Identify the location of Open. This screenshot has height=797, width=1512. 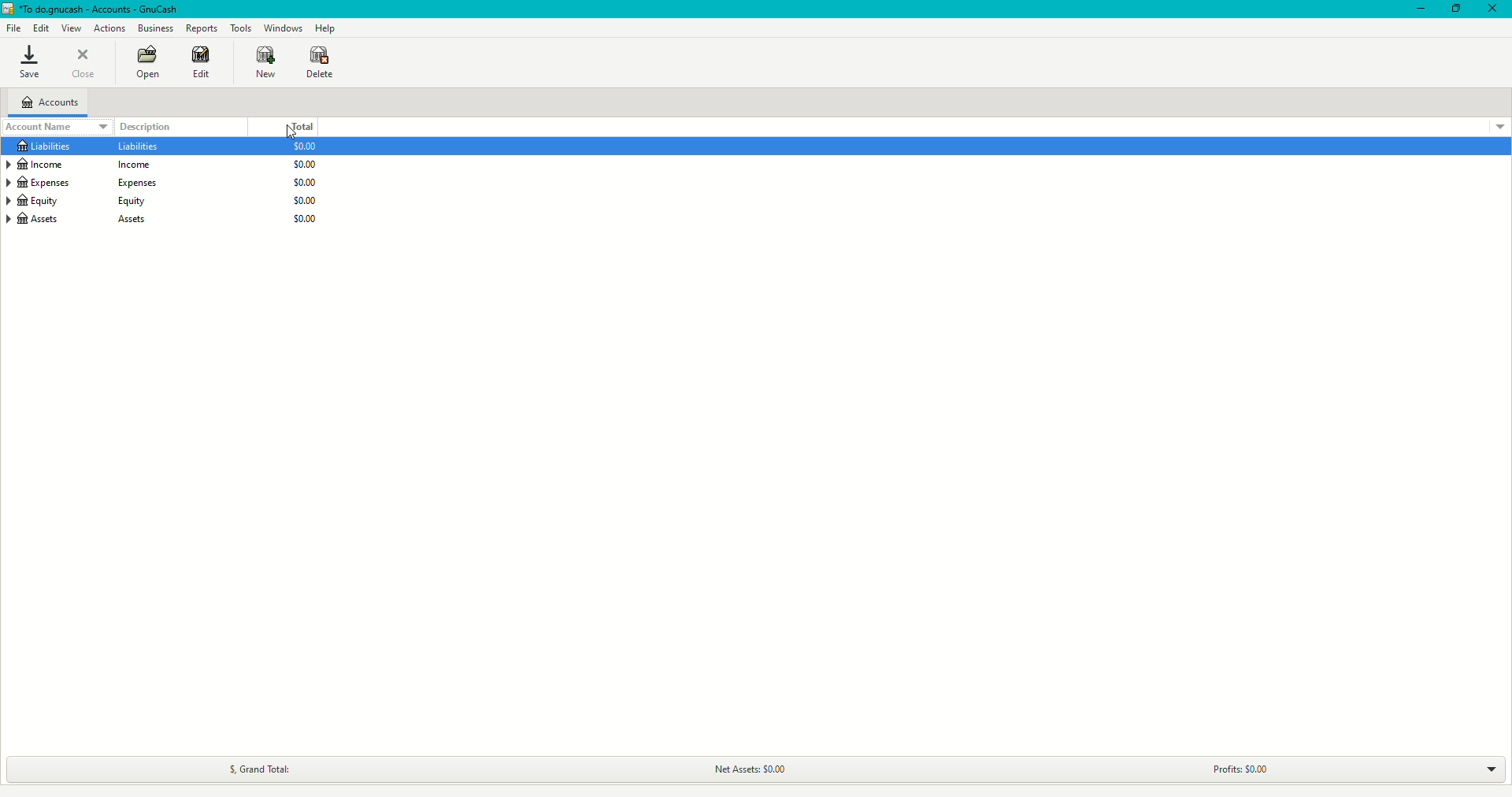
(146, 63).